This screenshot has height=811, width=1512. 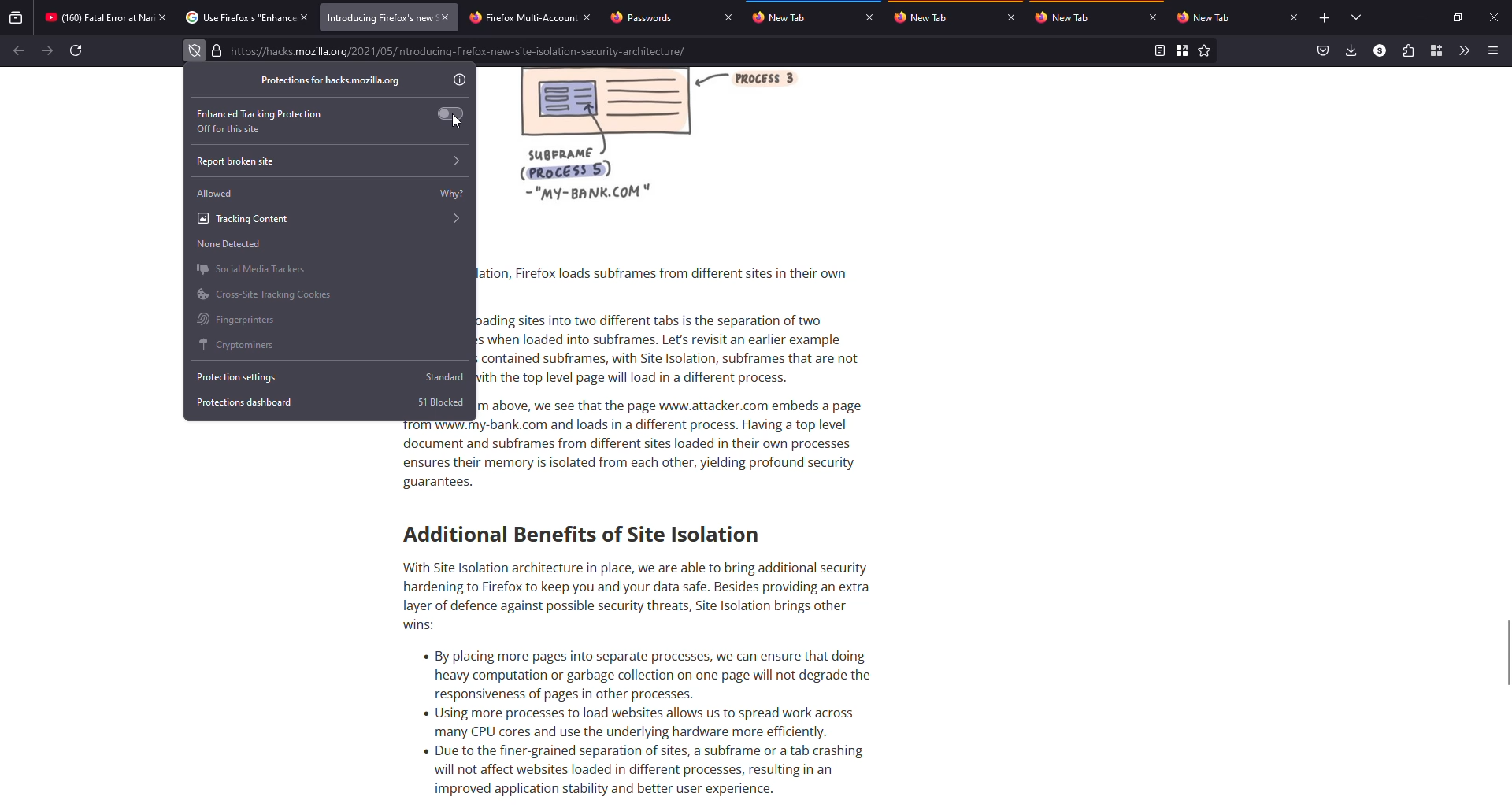 What do you see at coordinates (217, 50) in the screenshot?
I see `lock` at bounding box center [217, 50].